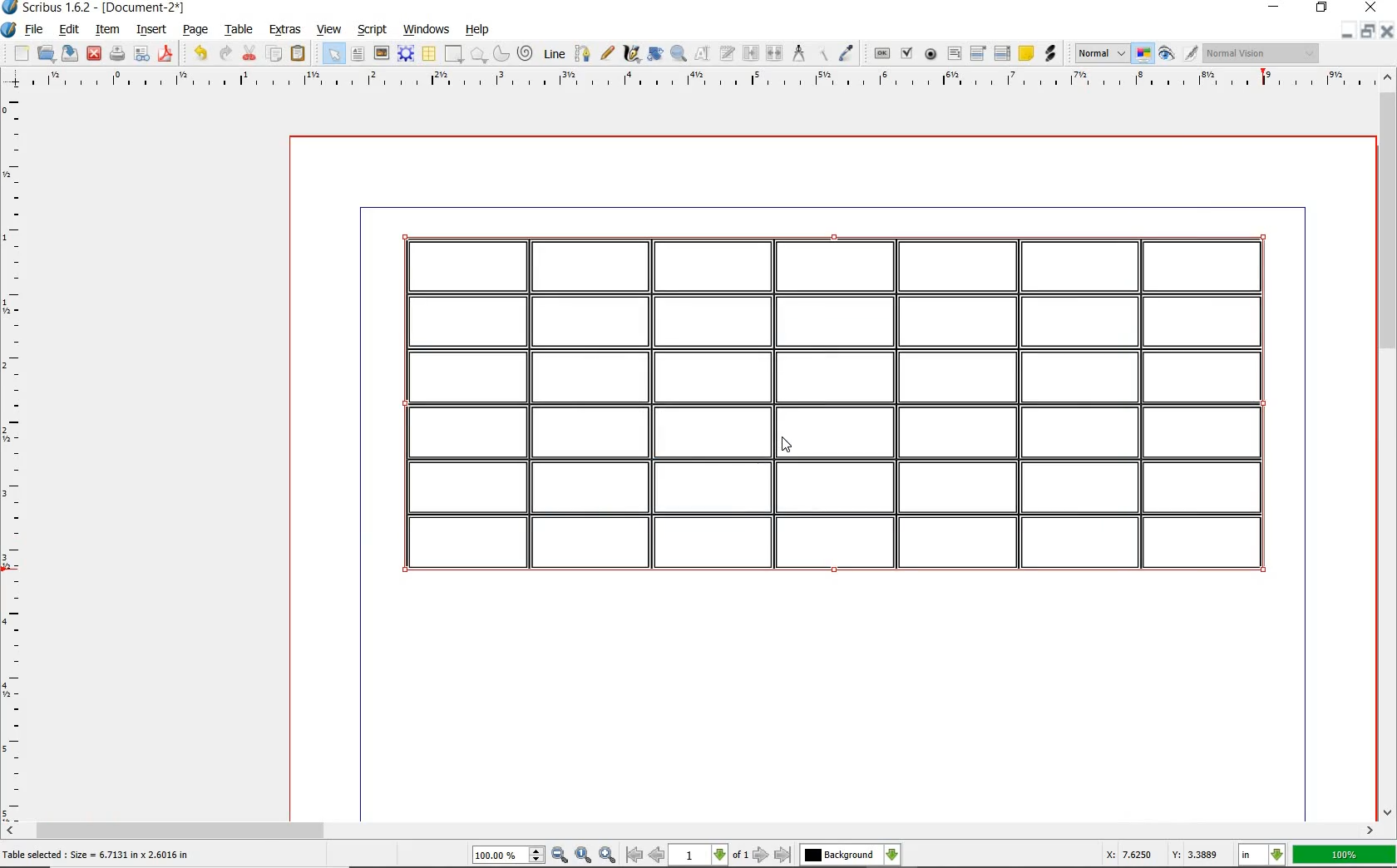 The width and height of the screenshot is (1397, 868). I want to click on arc, so click(501, 57).